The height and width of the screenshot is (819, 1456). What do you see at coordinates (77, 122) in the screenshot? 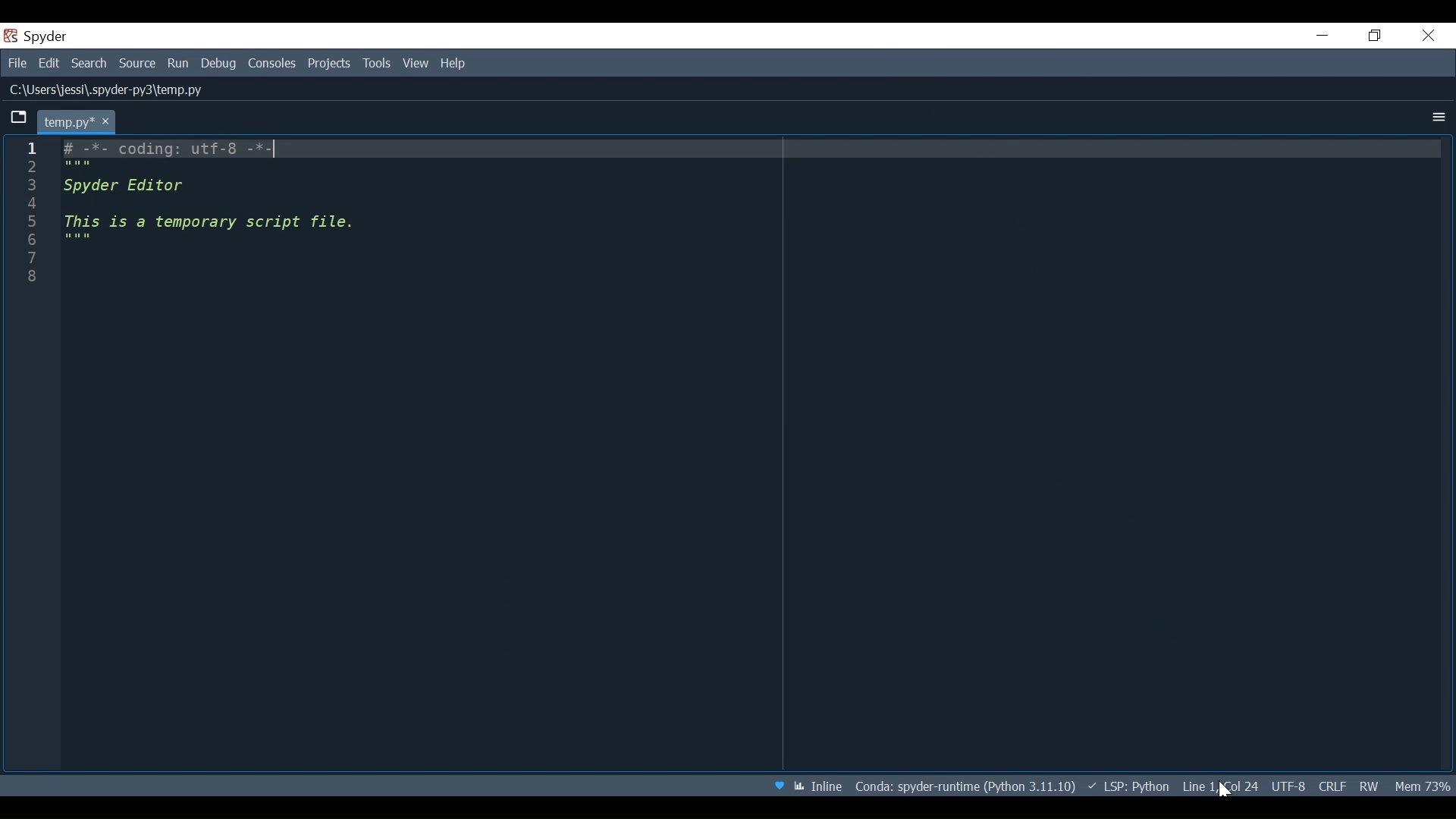
I see `Current tab` at bounding box center [77, 122].